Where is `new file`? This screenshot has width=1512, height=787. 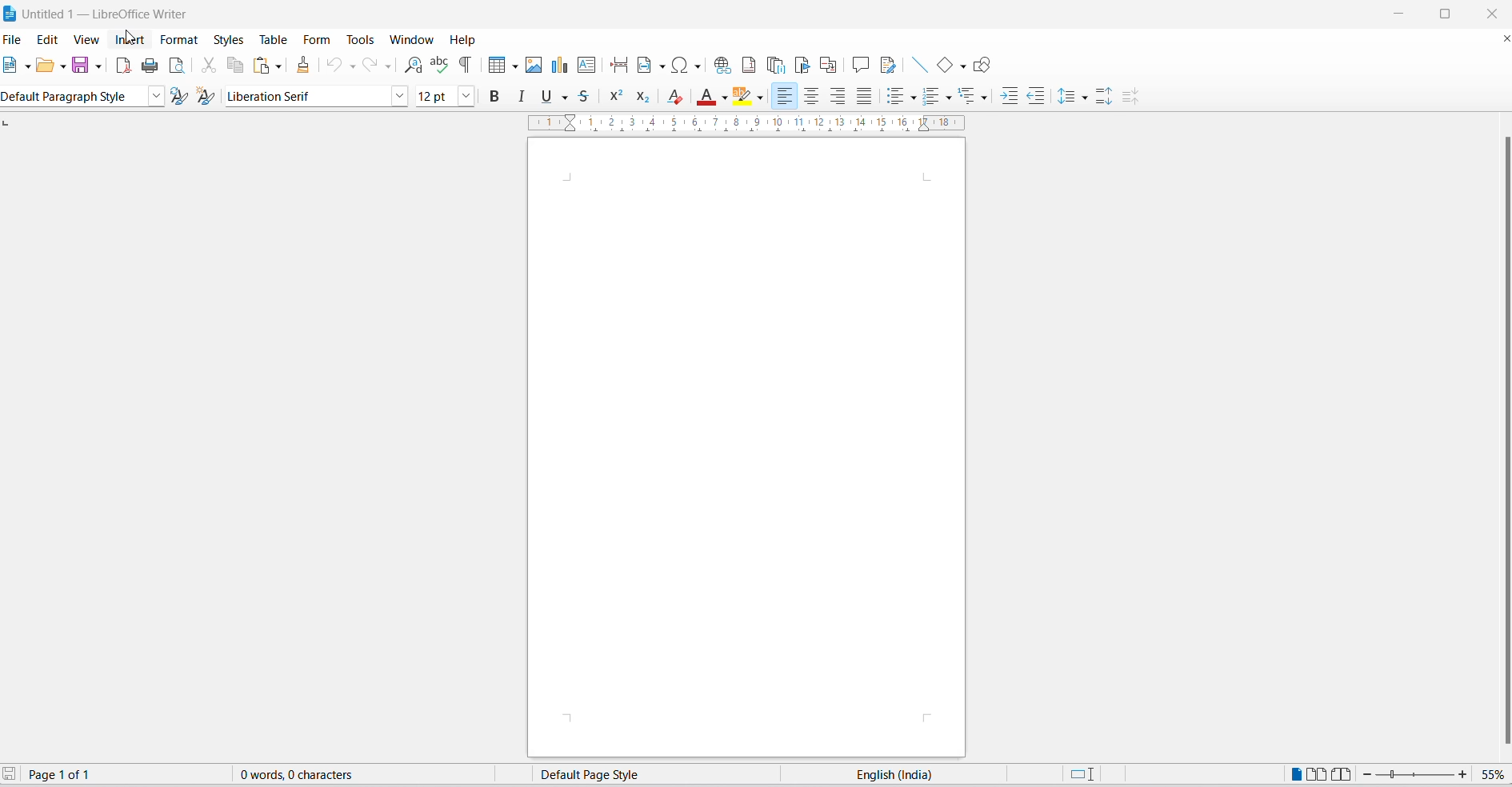
new file is located at coordinates (10, 65).